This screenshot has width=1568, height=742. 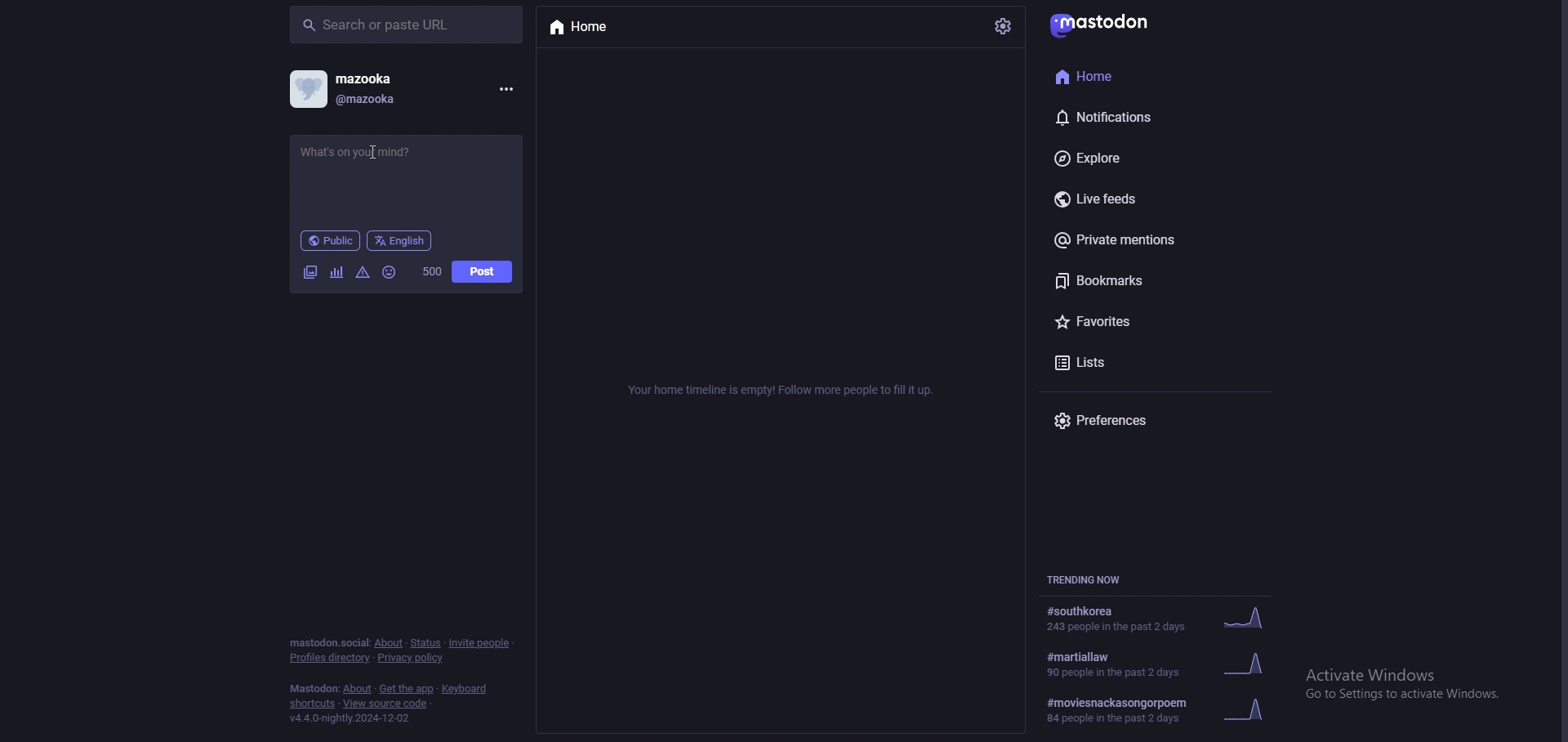 I want to click on privacy policy, so click(x=412, y=659).